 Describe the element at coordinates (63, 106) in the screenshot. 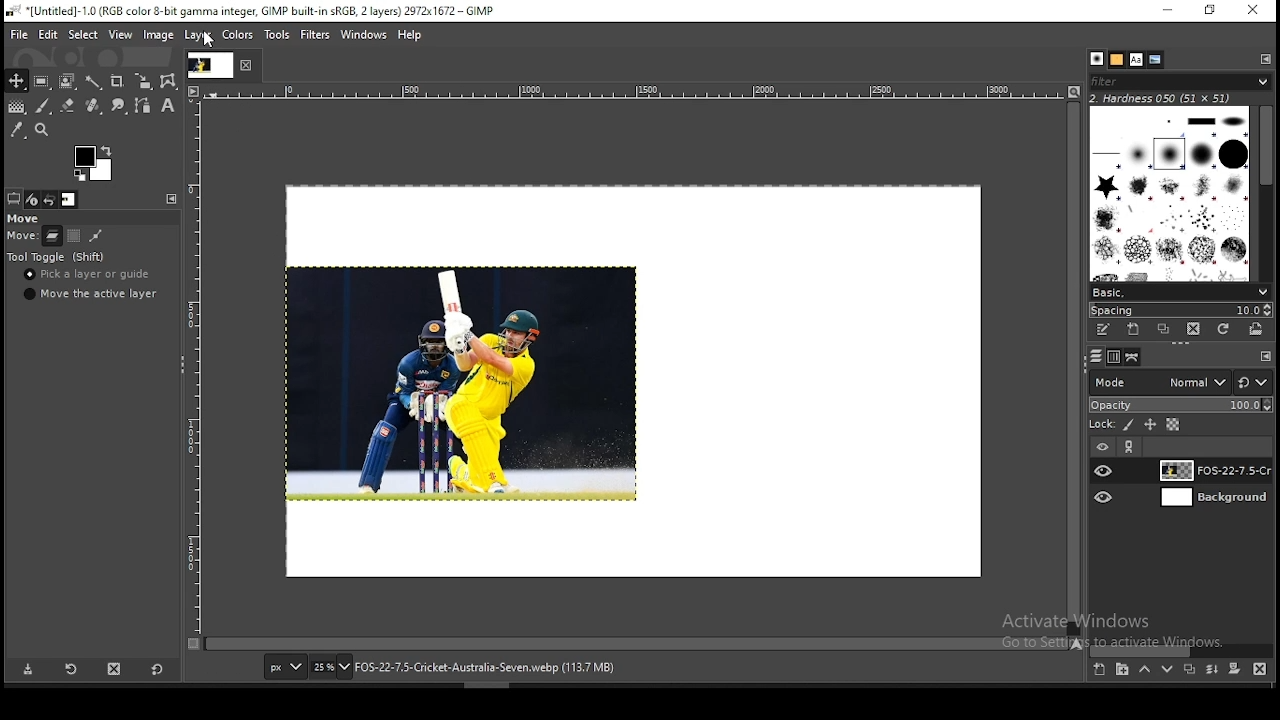

I see `eraser tool` at that location.